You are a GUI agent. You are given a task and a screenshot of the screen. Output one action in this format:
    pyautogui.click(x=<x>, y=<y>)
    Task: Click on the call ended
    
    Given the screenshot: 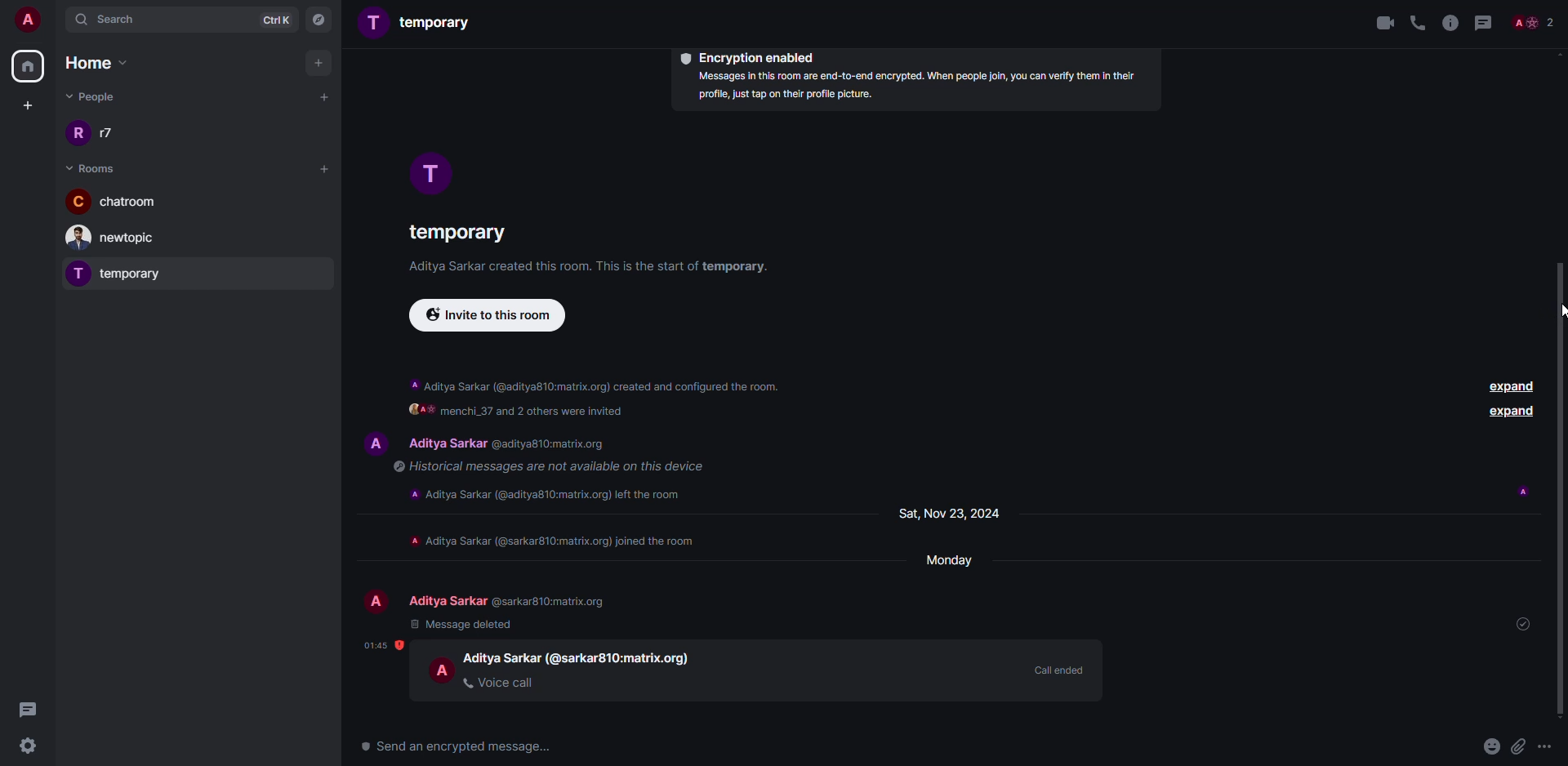 What is the action you would take?
    pyautogui.click(x=1056, y=669)
    